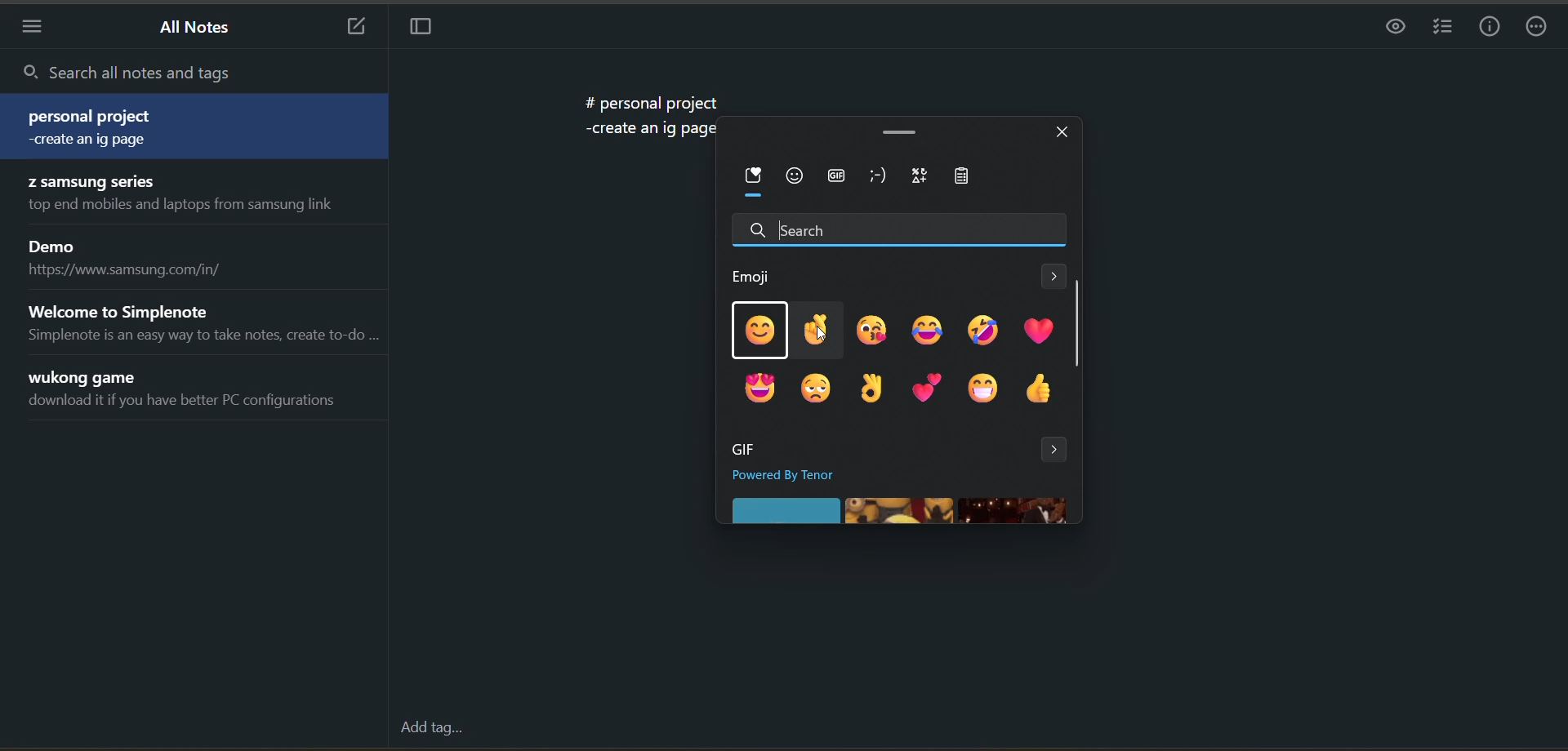  Describe the element at coordinates (422, 29) in the screenshot. I see `toggle focus mode` at that location.